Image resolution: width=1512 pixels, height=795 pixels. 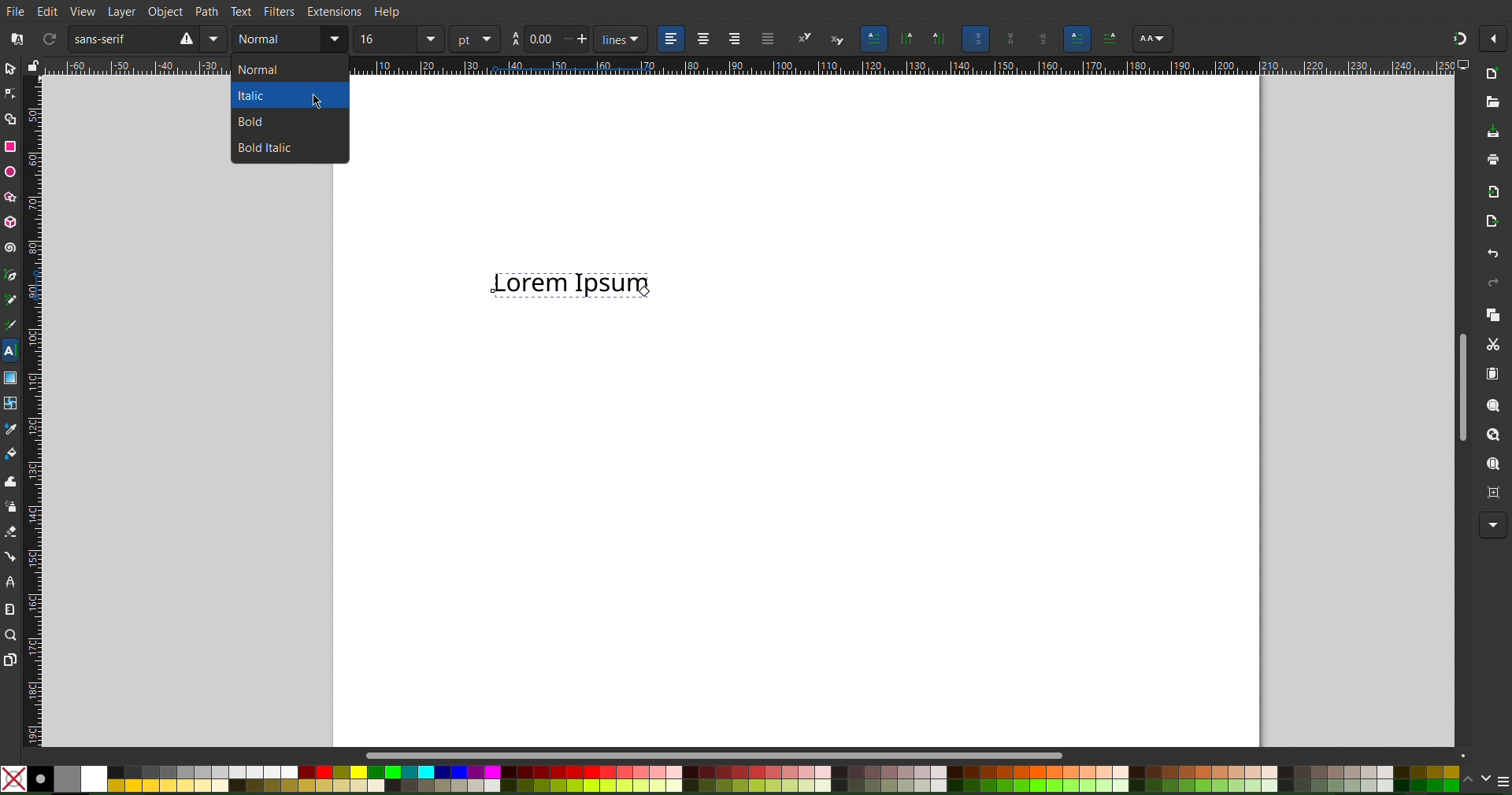 I want to click on unit, so click(x=623, y=38).